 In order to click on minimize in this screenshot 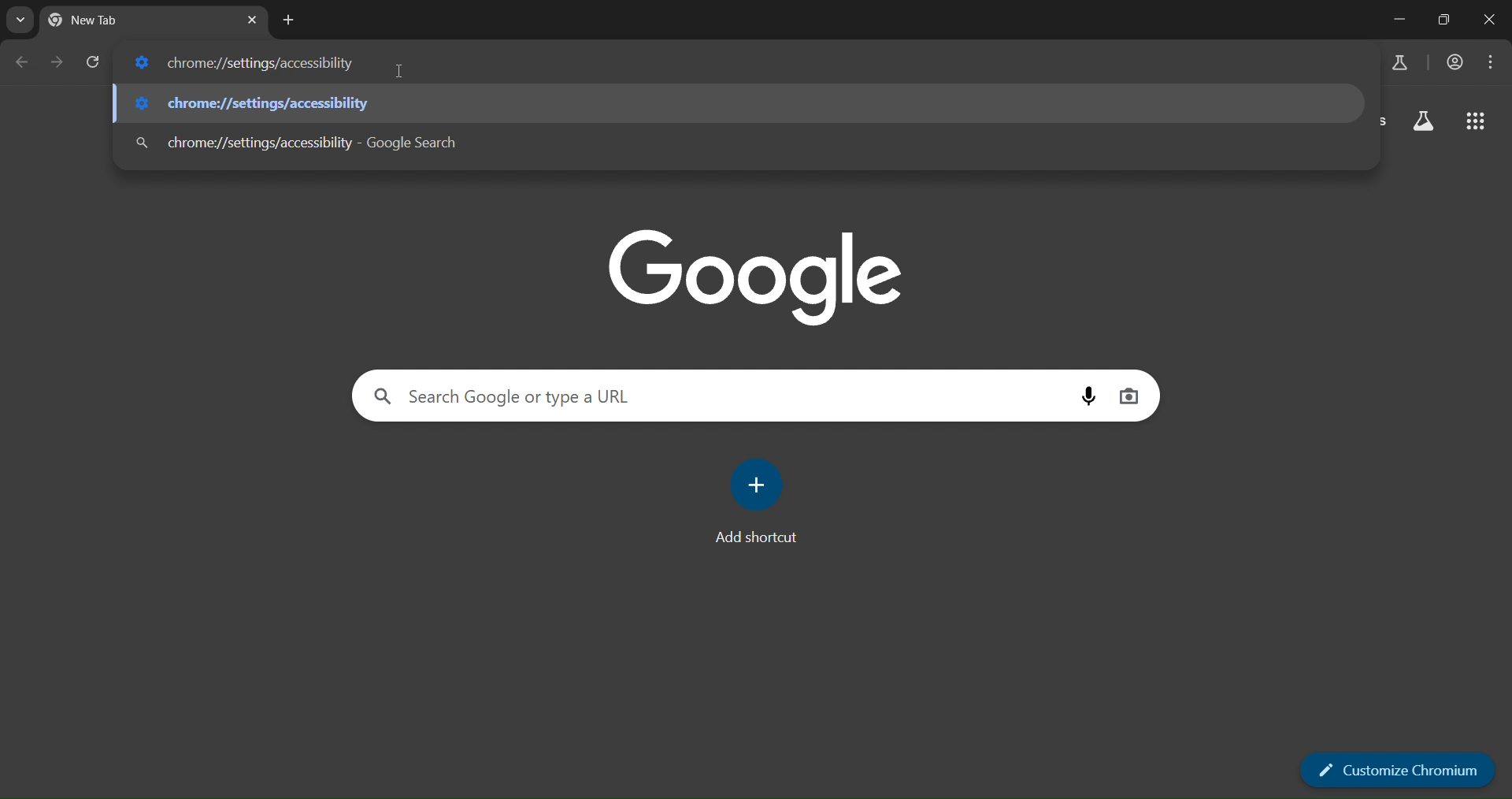, I will do `click(1398, 17)`.